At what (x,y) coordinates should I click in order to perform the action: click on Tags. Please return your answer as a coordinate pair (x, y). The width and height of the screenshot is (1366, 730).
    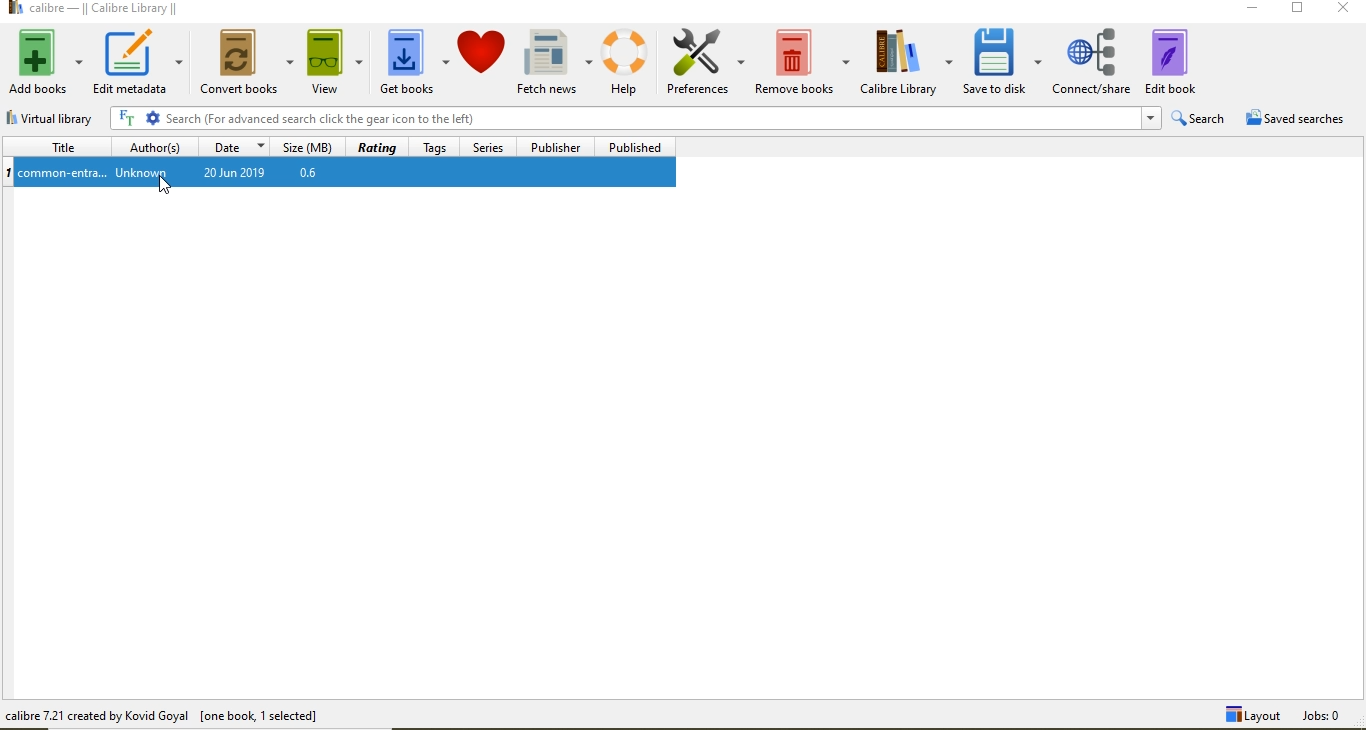
    Looking at the image, I should click on (438, 147).